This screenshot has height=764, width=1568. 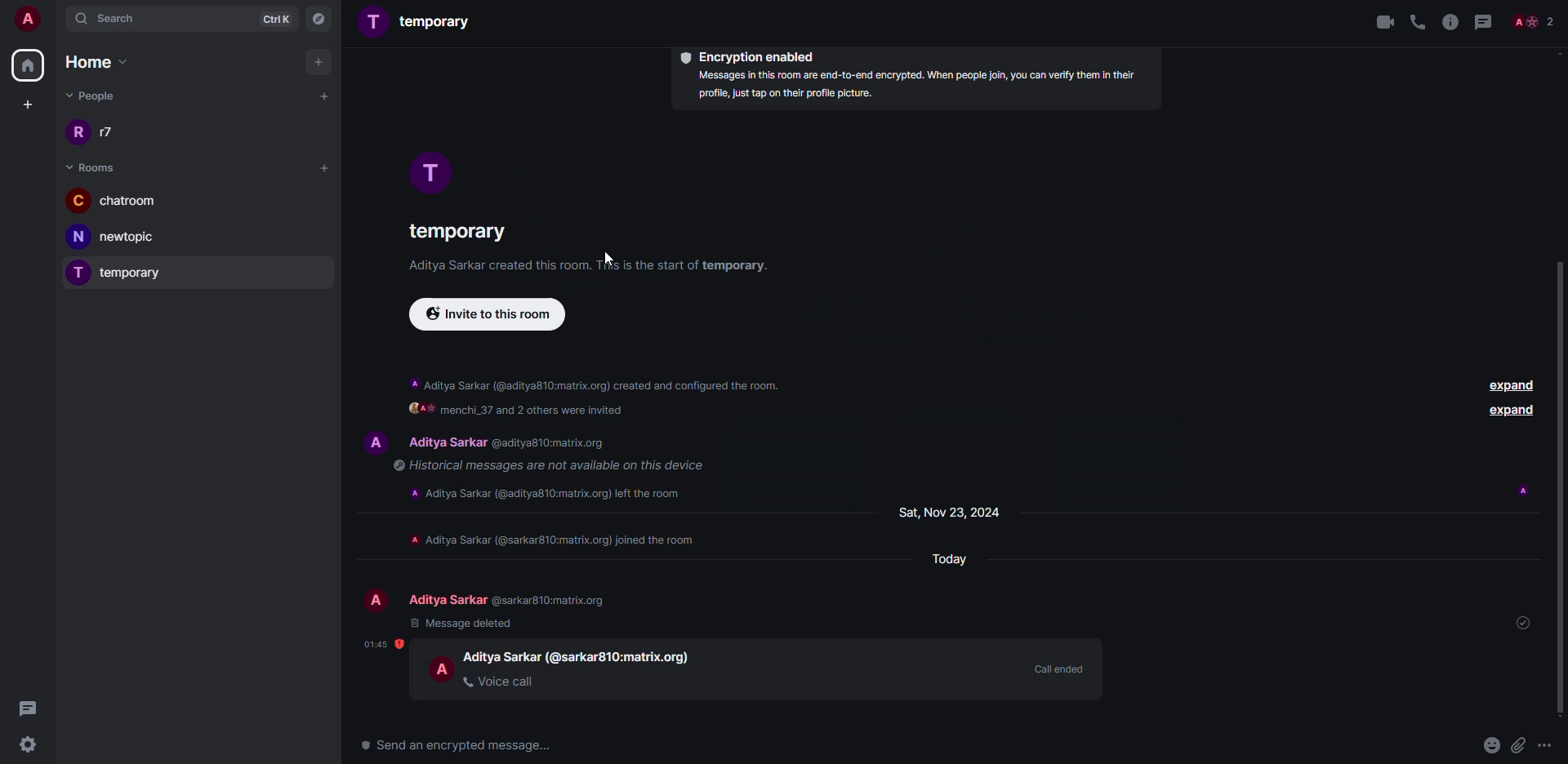 I want to click on send encrypted message, so click(x=464, y=745).